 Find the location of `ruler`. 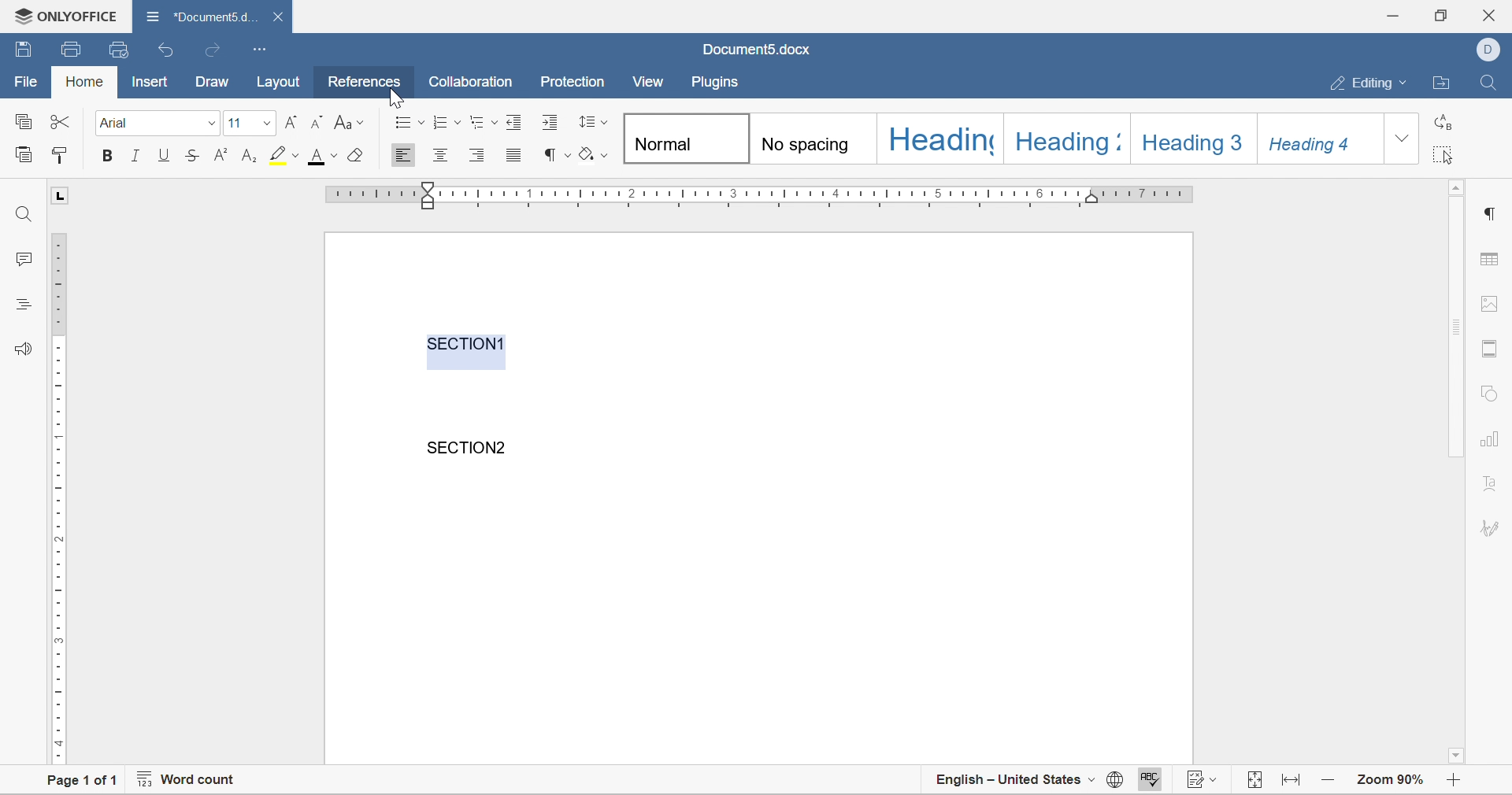

ruler is located at coordinates (761, 194).